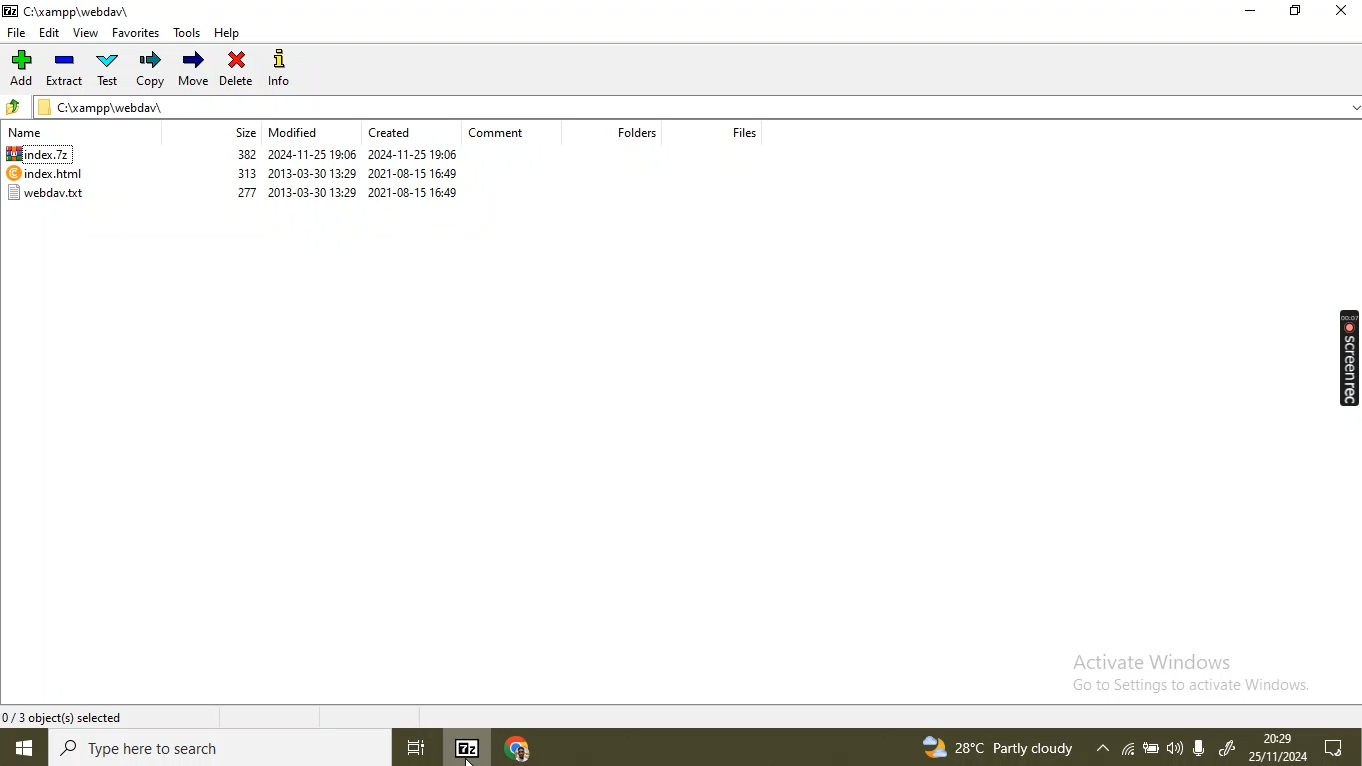 The width and height of the screenshot is (1362, 766). What do you see at coordinates (419, 195) in the screenshot?
I see `2021-08-15 16:49` at bounding box center [419, 195].